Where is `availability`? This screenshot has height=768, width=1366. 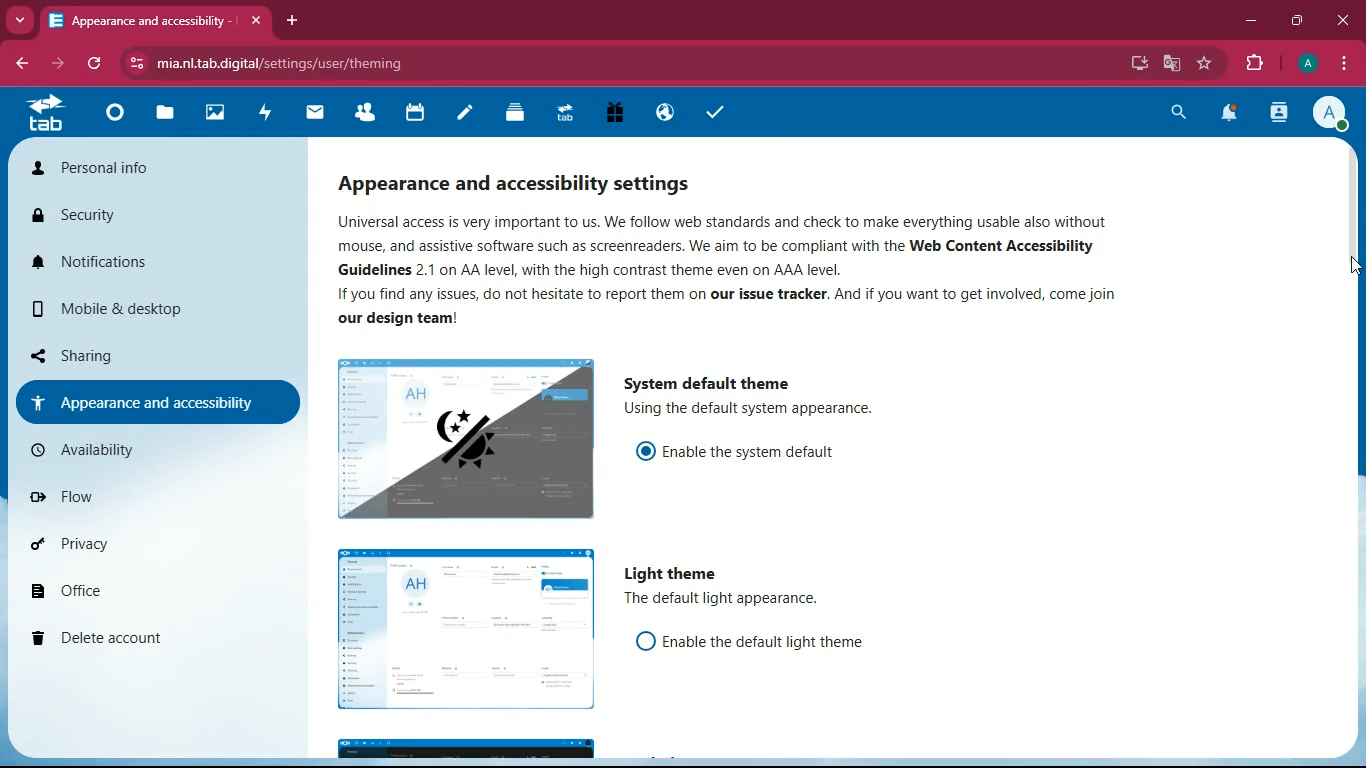 availability is located at coordinates (148, 449).